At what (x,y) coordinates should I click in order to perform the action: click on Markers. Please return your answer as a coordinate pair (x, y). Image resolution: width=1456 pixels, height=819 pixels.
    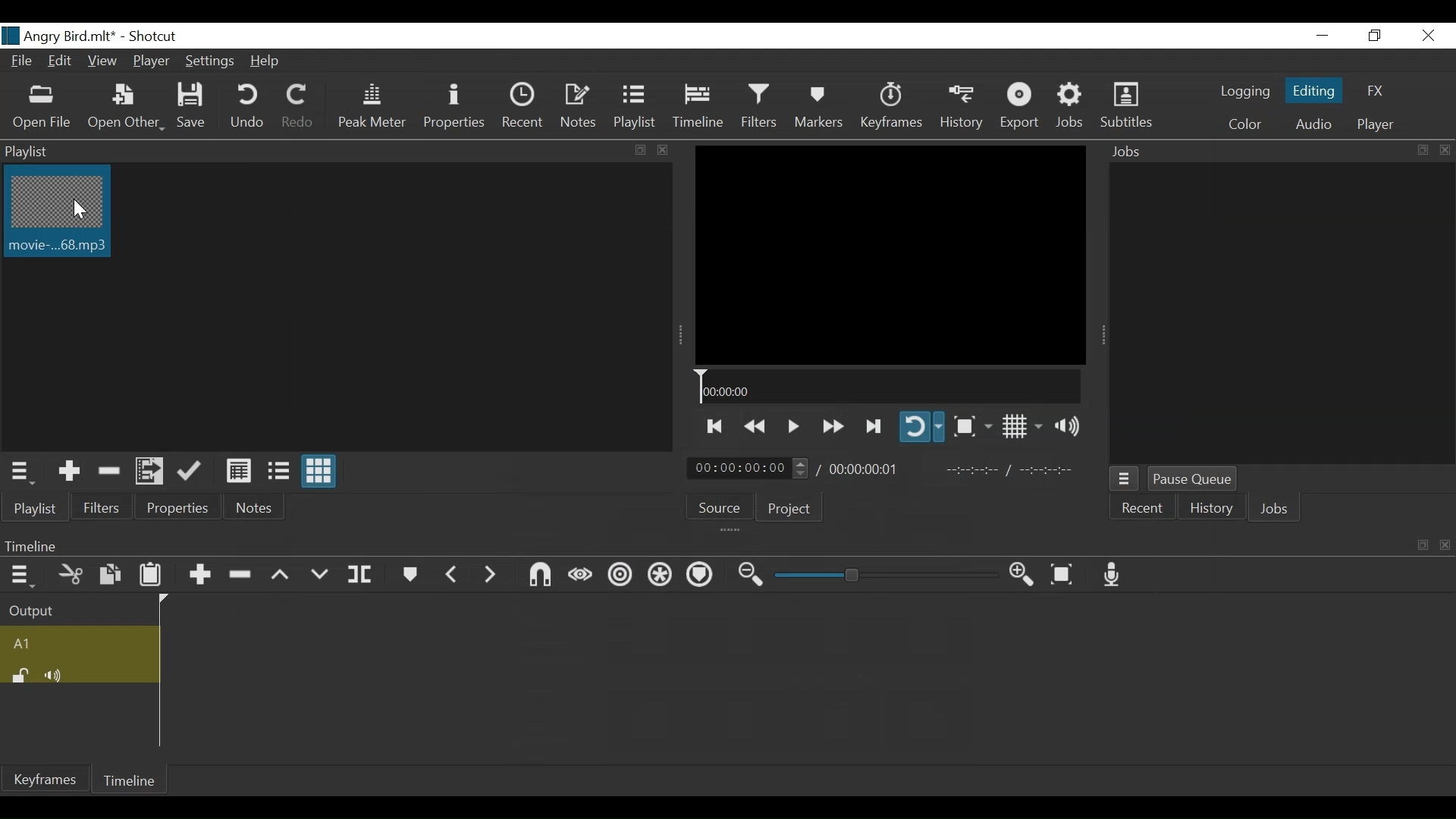
    Looking at the image, I should click on (409, 573).